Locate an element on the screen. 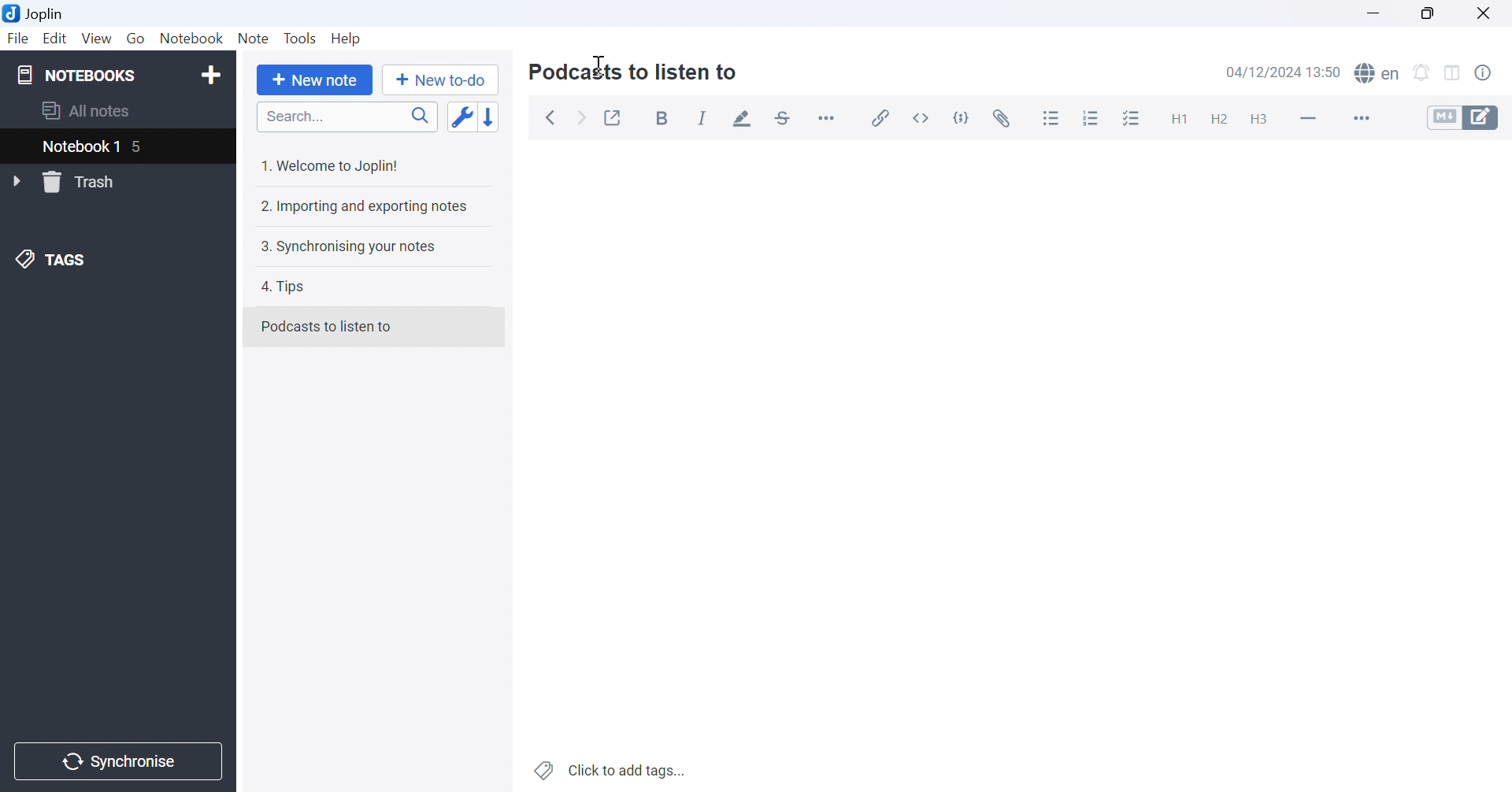 This screenshot has height=792, width=1512. Numbered list is located at coordinates (1093, 117).